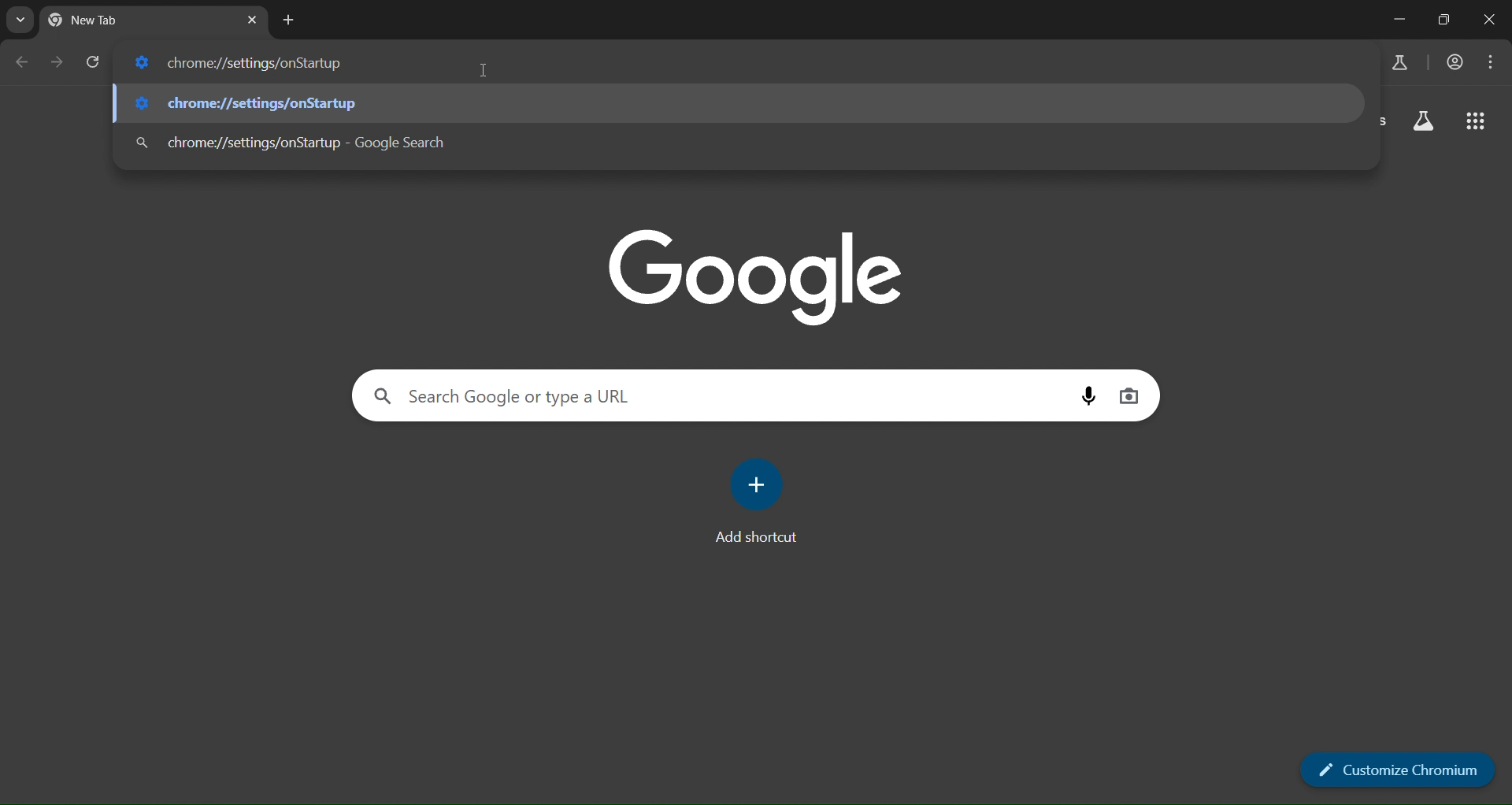 This screenshot has width=1512, height=805. Describe the element at coordinates (108, 20) in the screenshot. I see `current page` at that location.